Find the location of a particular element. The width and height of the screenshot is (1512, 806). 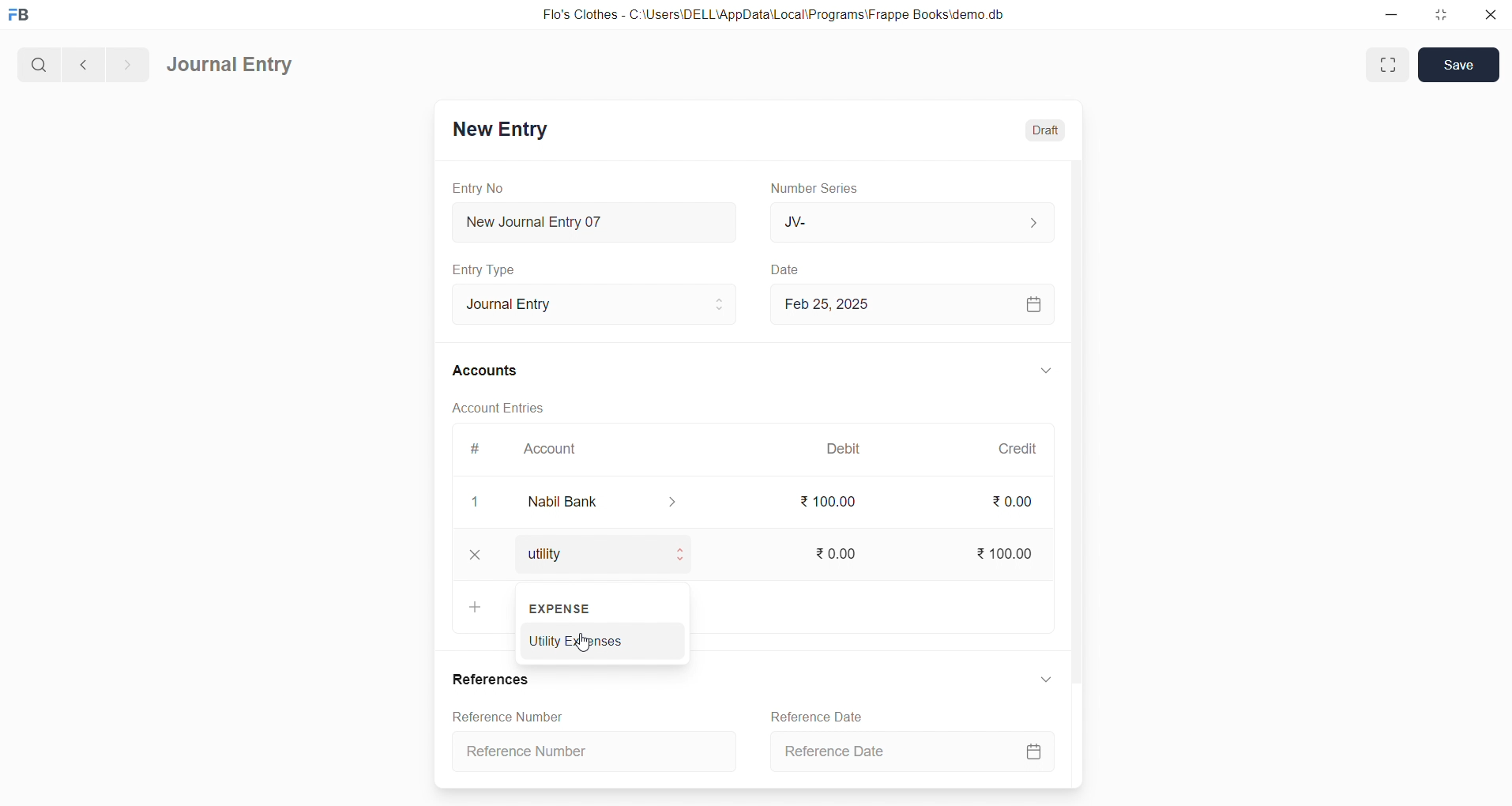

vertical scroll bar is located at coordinates (1076, 472).